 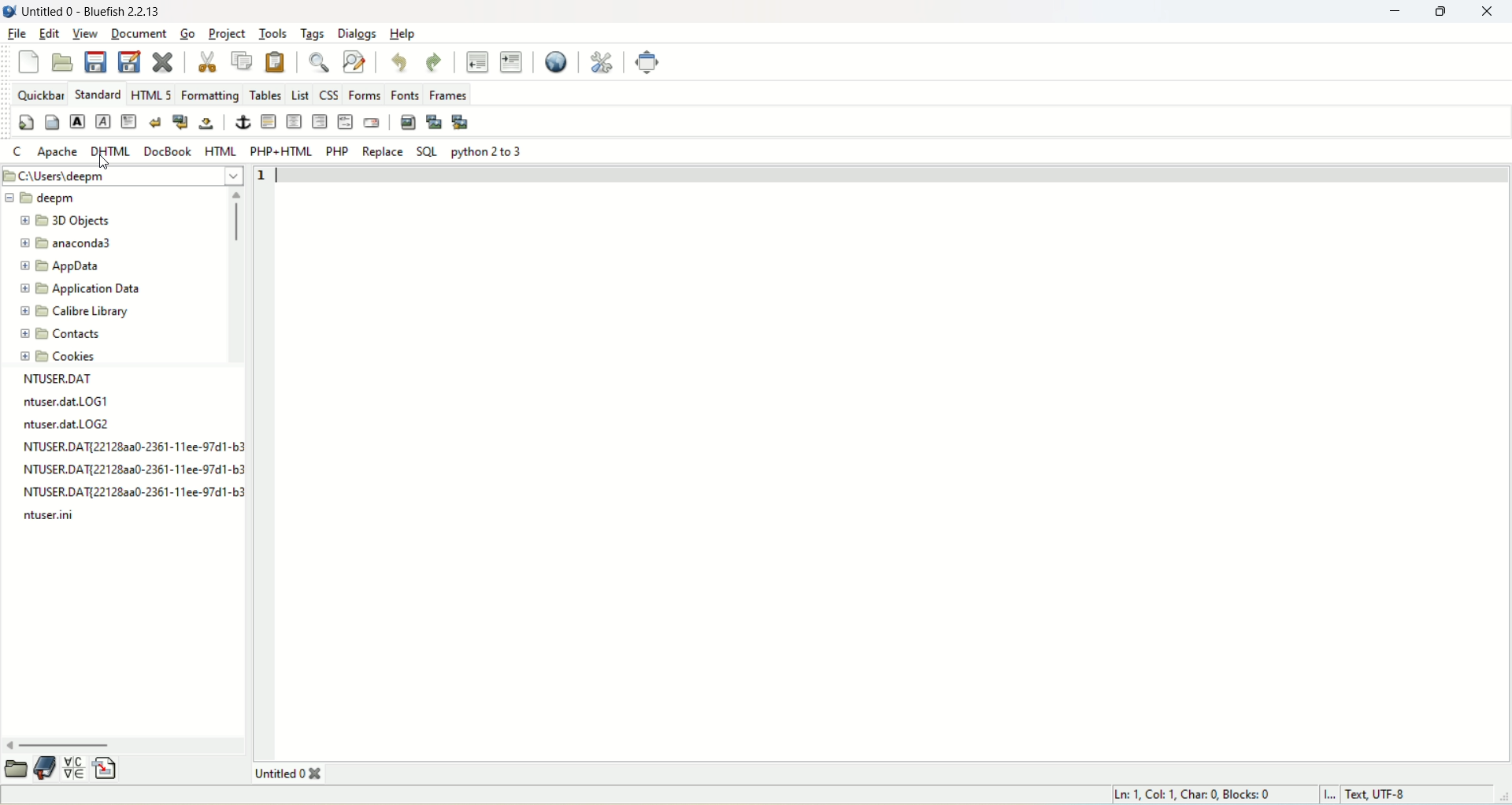 I want to click on horizontal scroll bar, so click(x=124, y=745).